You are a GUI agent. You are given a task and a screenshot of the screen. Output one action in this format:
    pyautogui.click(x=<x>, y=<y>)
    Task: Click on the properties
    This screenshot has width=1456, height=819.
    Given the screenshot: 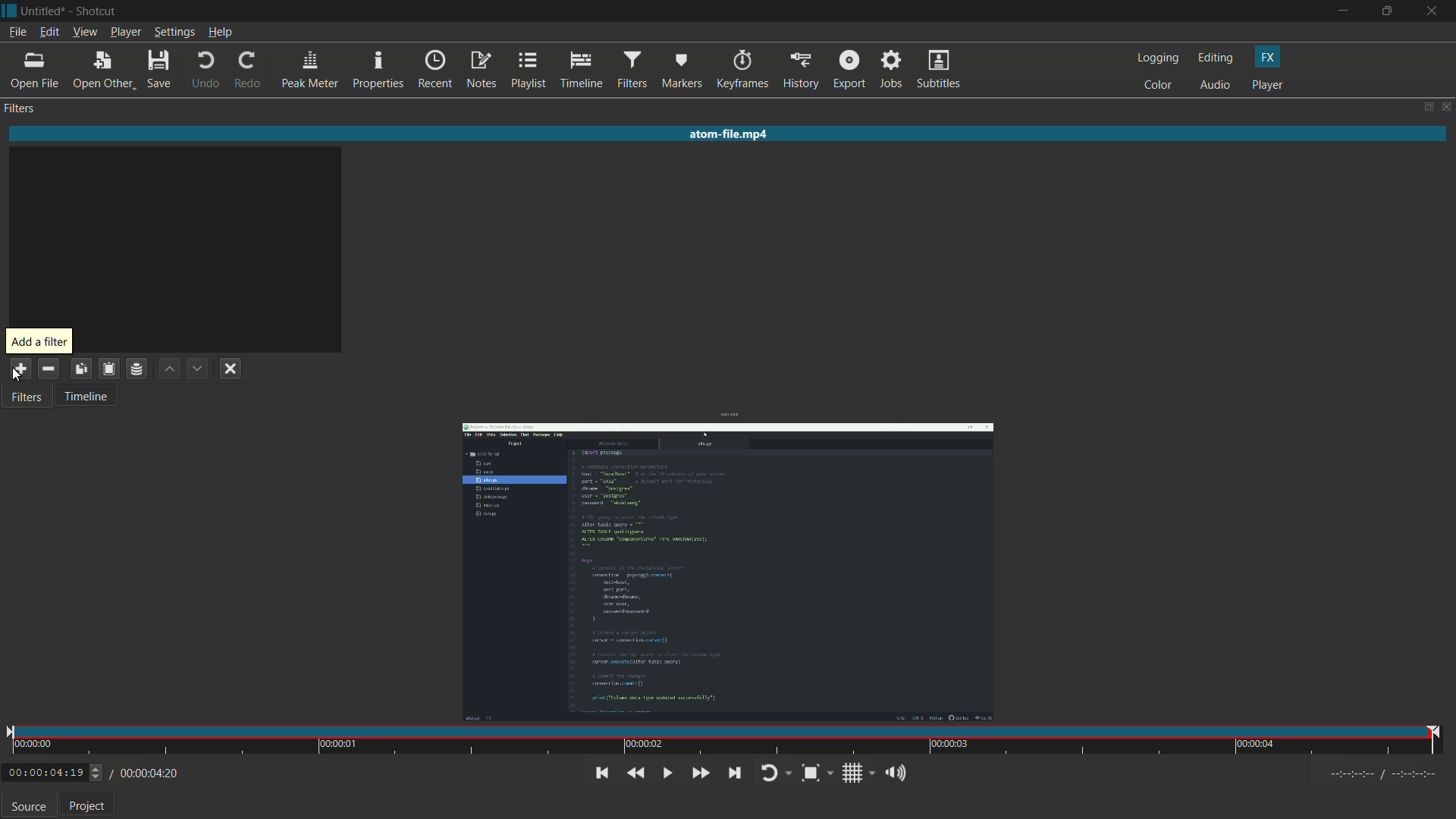 What is the action you would take?
    pyautogui.click(x=377, y=71)
    